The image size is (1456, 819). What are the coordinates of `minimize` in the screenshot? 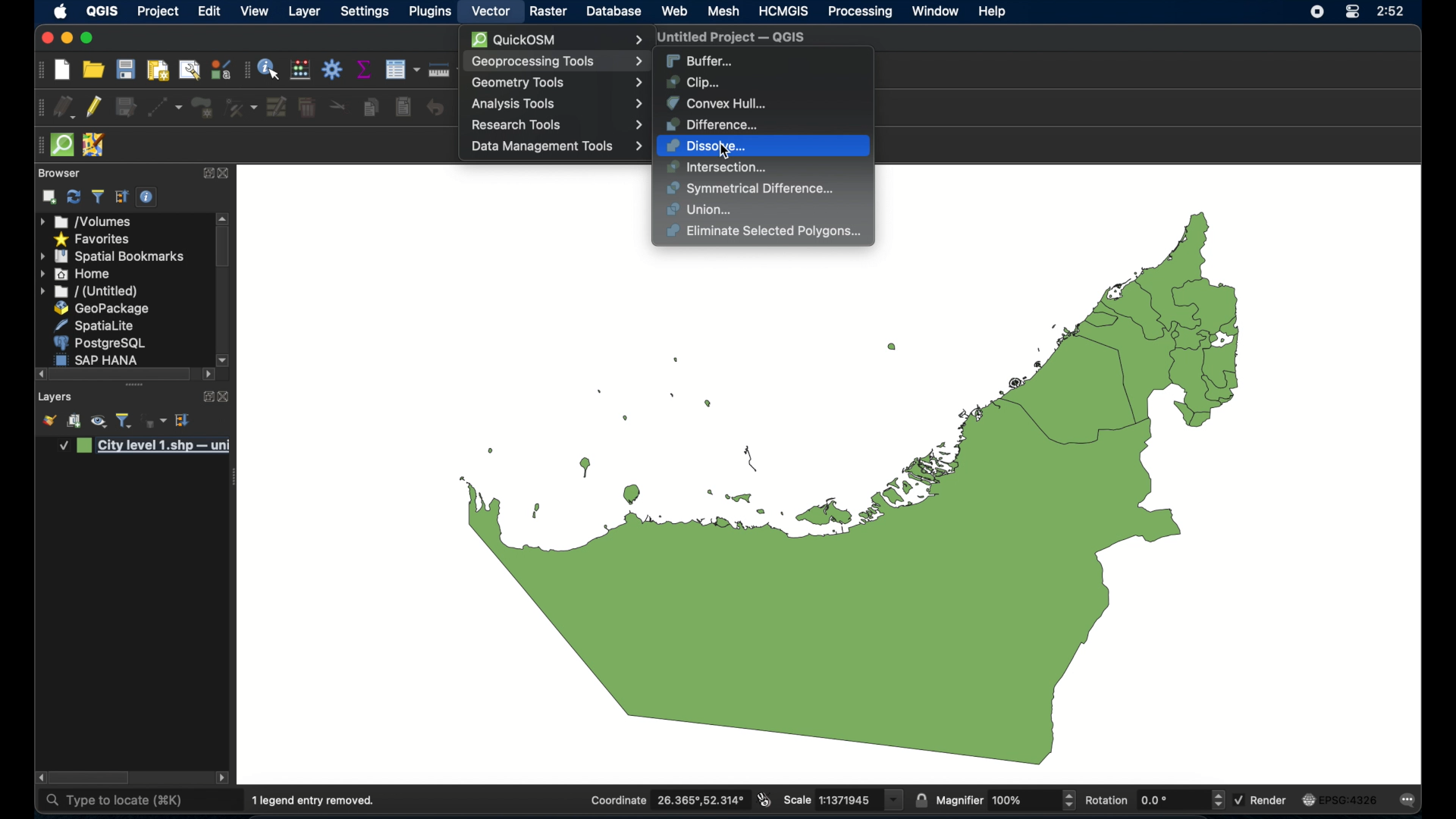 It's located at (65, 39).